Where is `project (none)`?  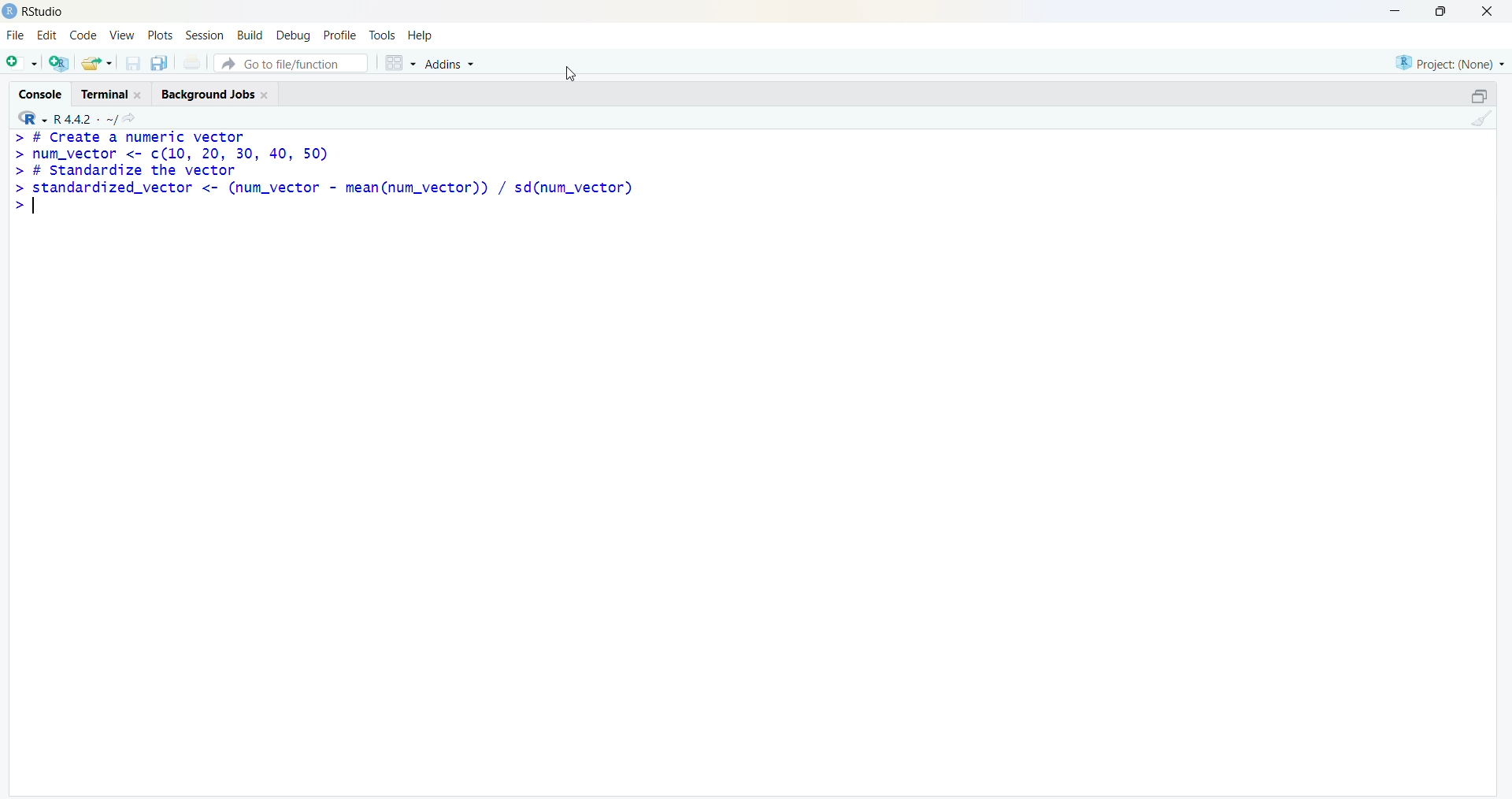
project (none) is located at coordinates (1450, 64).